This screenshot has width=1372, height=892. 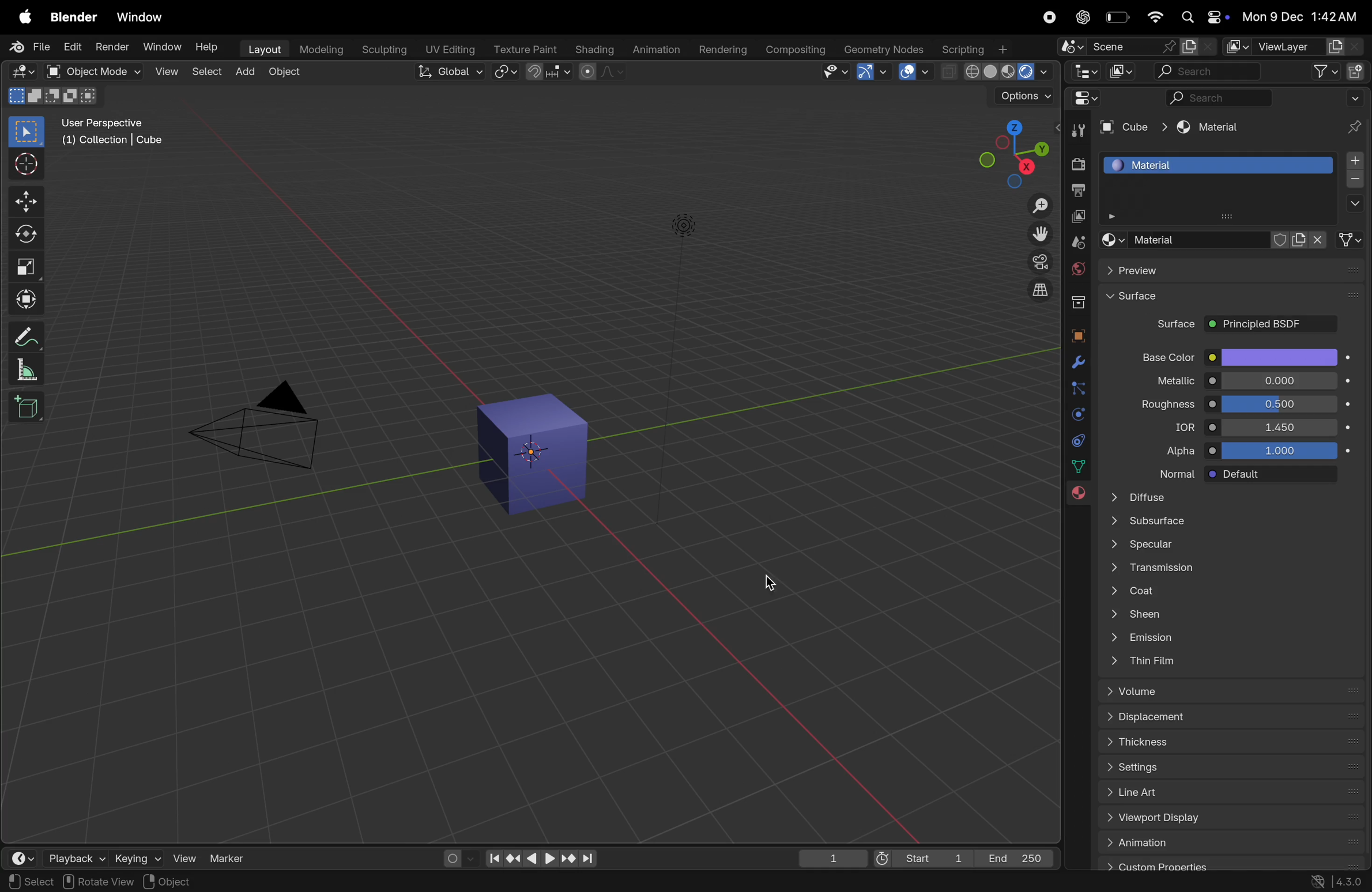 I want to click on coat, so click(x=1223, y=593).